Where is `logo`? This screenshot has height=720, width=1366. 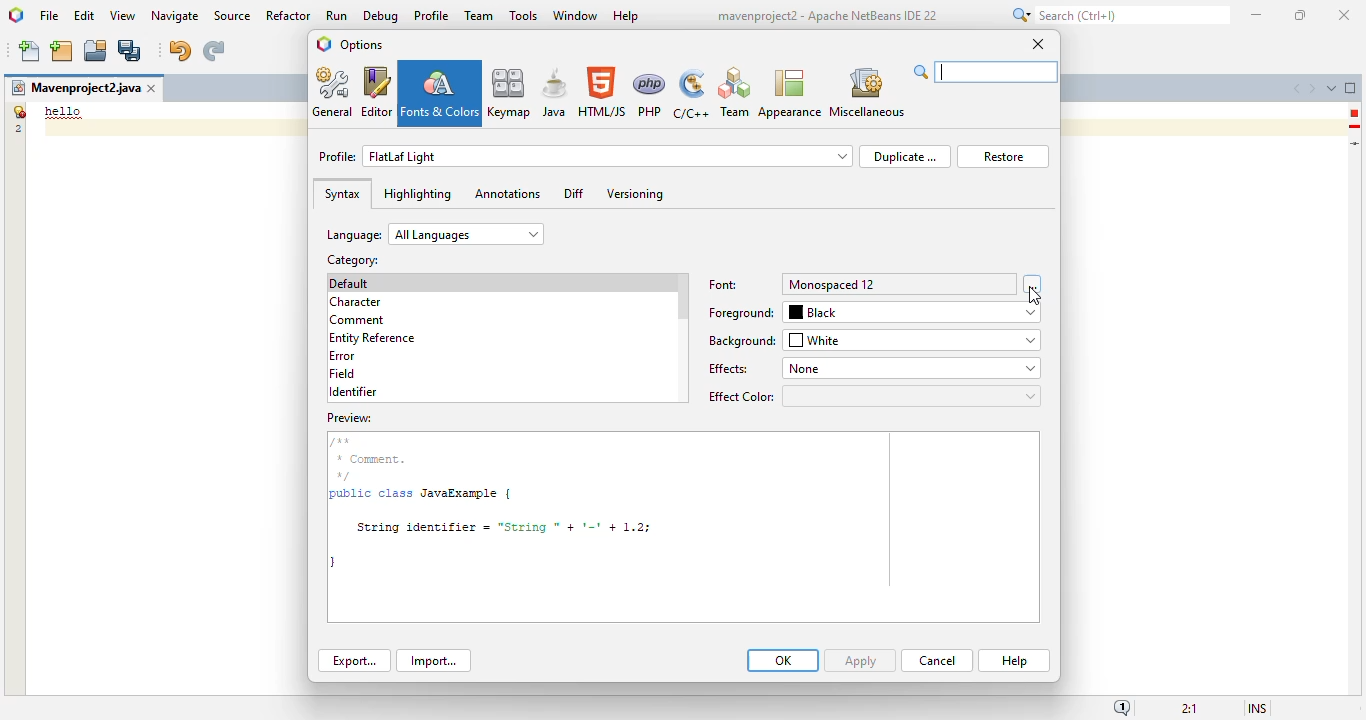
logo is located at coordinates (17, 15).